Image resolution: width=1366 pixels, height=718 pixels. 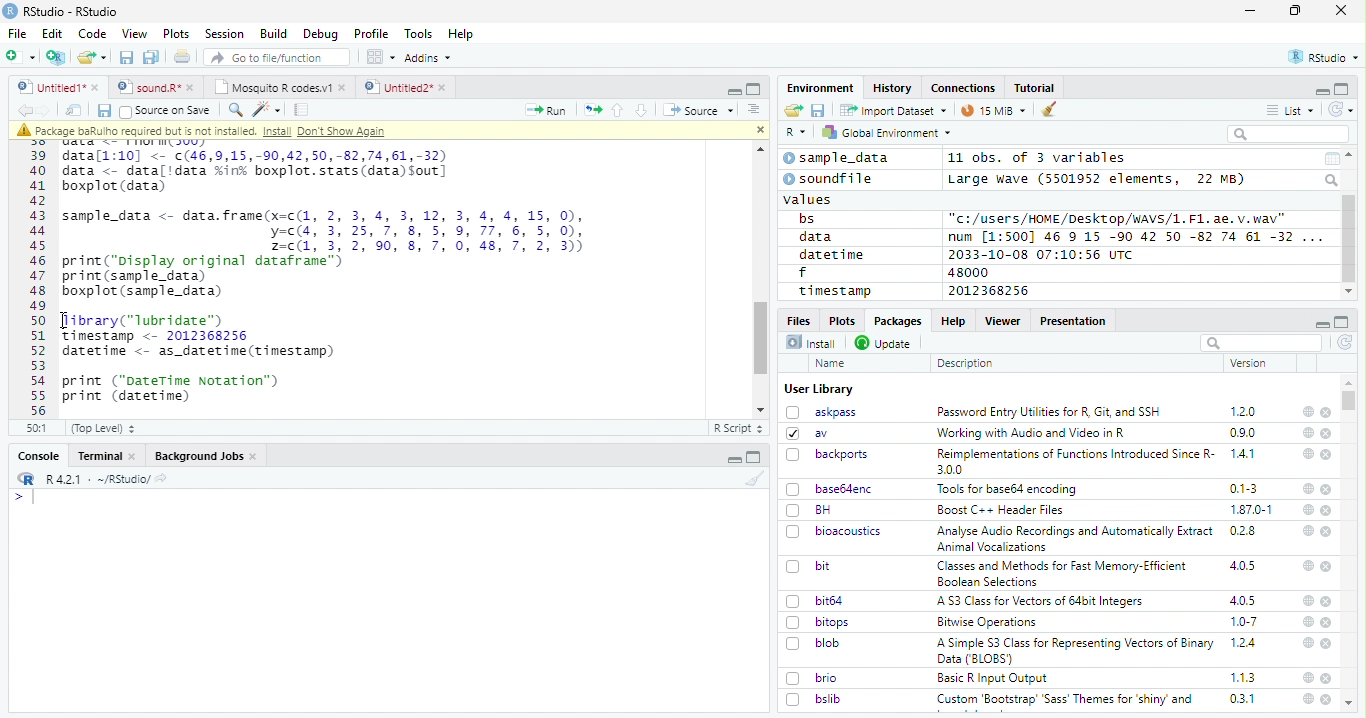 I want to click on close, so click(x=1328, y=644).